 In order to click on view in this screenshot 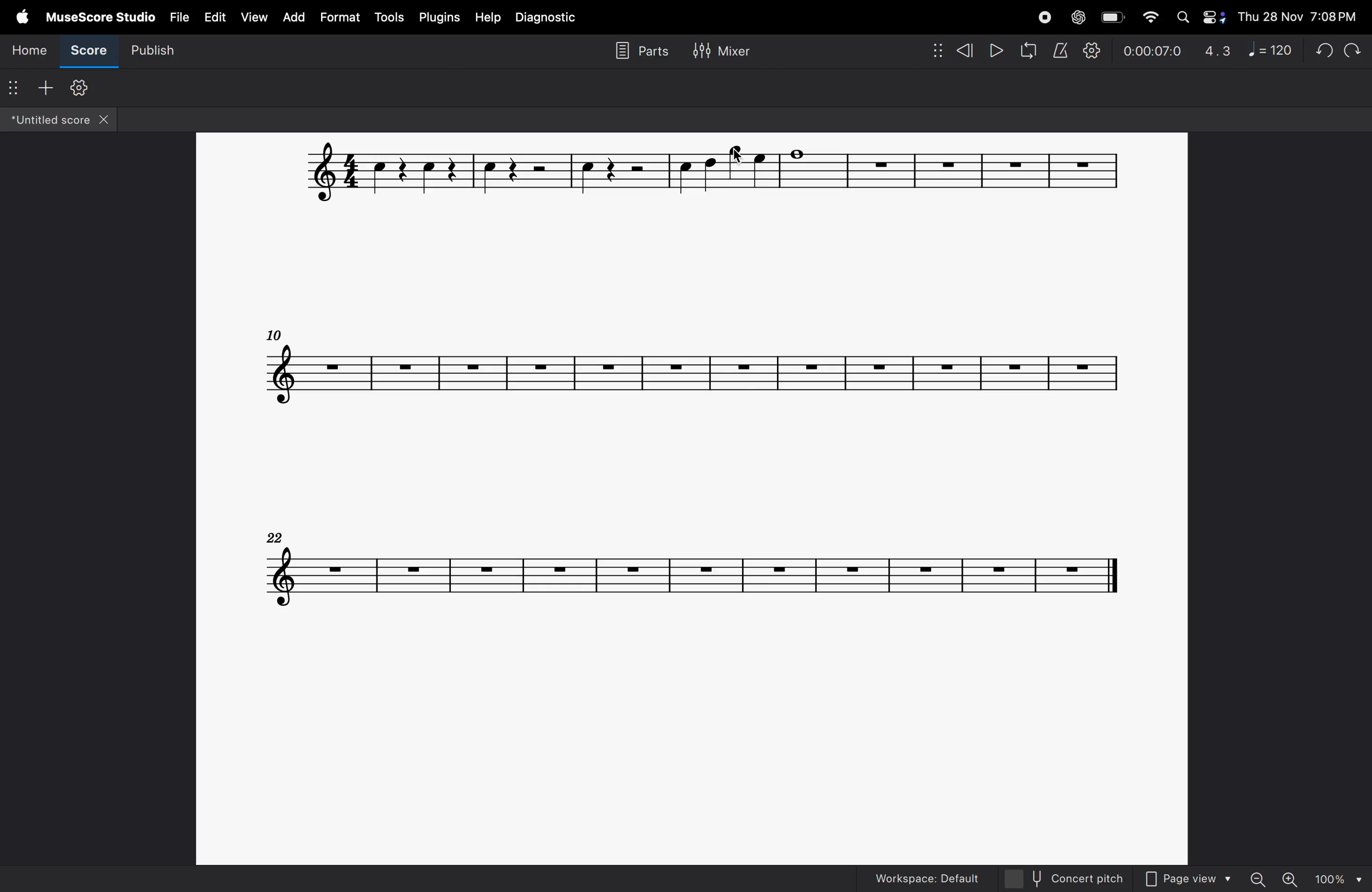, I will do `click(254, 16)`.